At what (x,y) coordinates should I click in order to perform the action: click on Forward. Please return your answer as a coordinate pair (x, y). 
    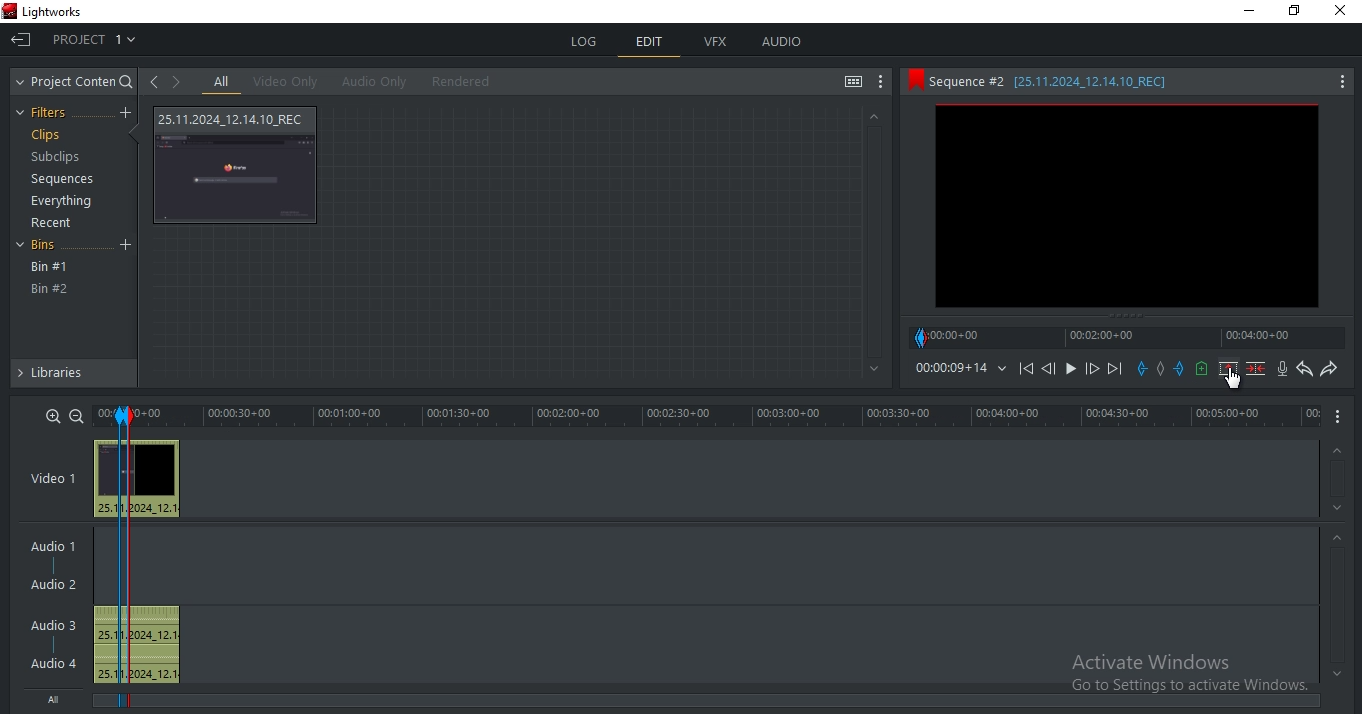
    Looking at the image, I should click on (1093, 369).